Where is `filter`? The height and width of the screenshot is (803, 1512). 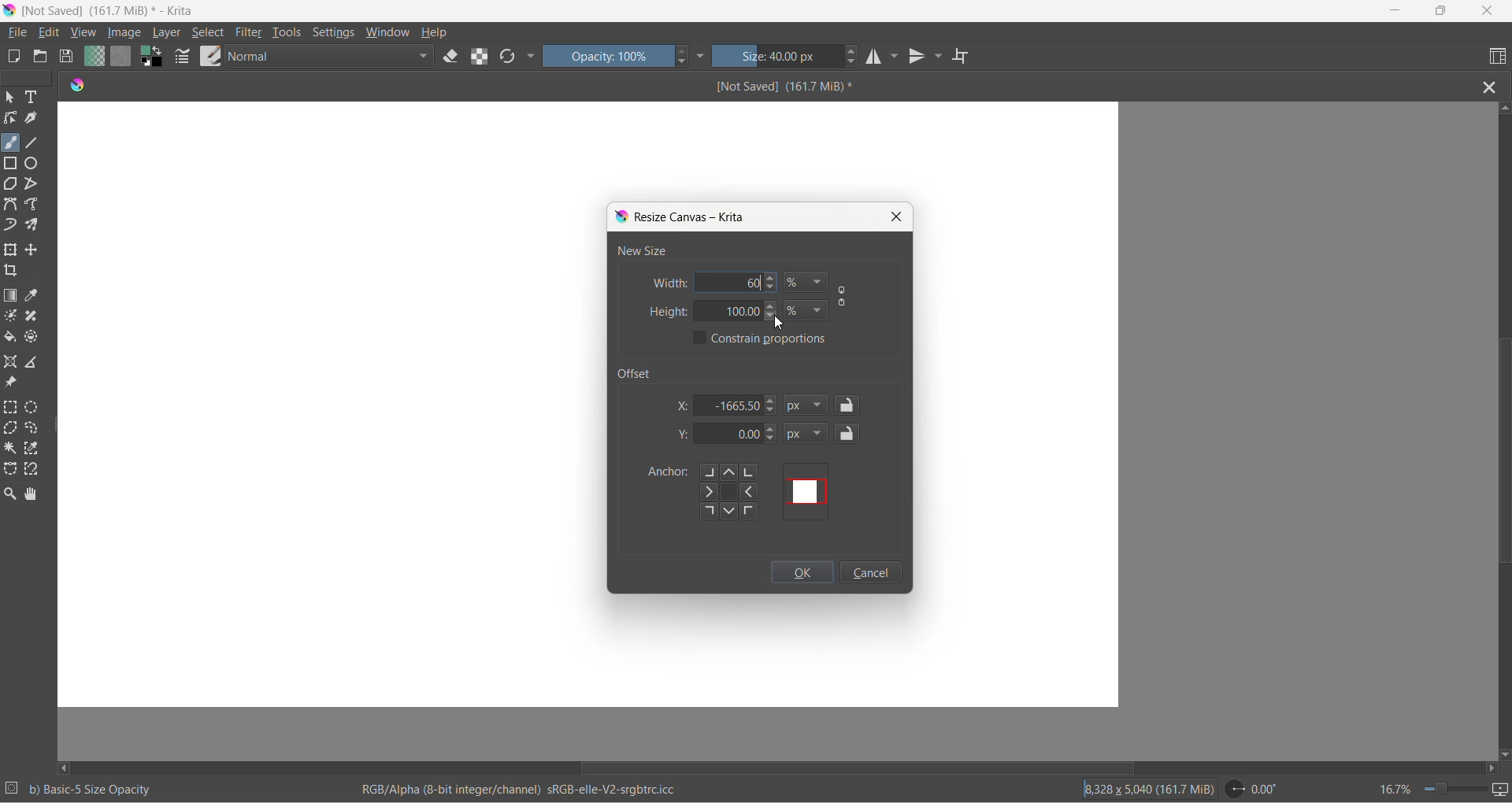
filter is located at coordinates (250, 35).